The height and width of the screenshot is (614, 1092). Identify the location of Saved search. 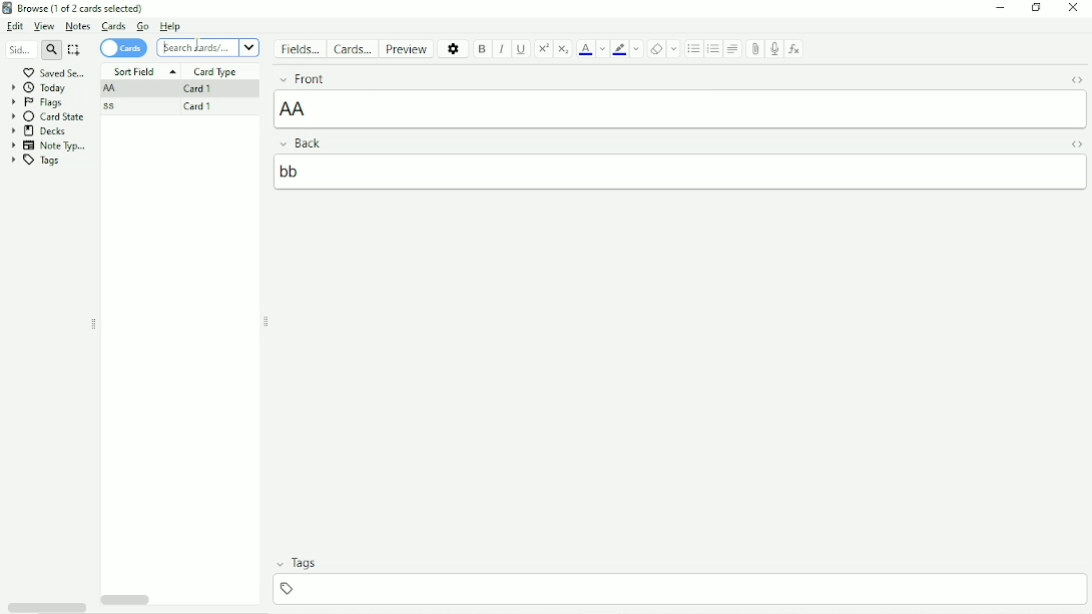
(54, 71).